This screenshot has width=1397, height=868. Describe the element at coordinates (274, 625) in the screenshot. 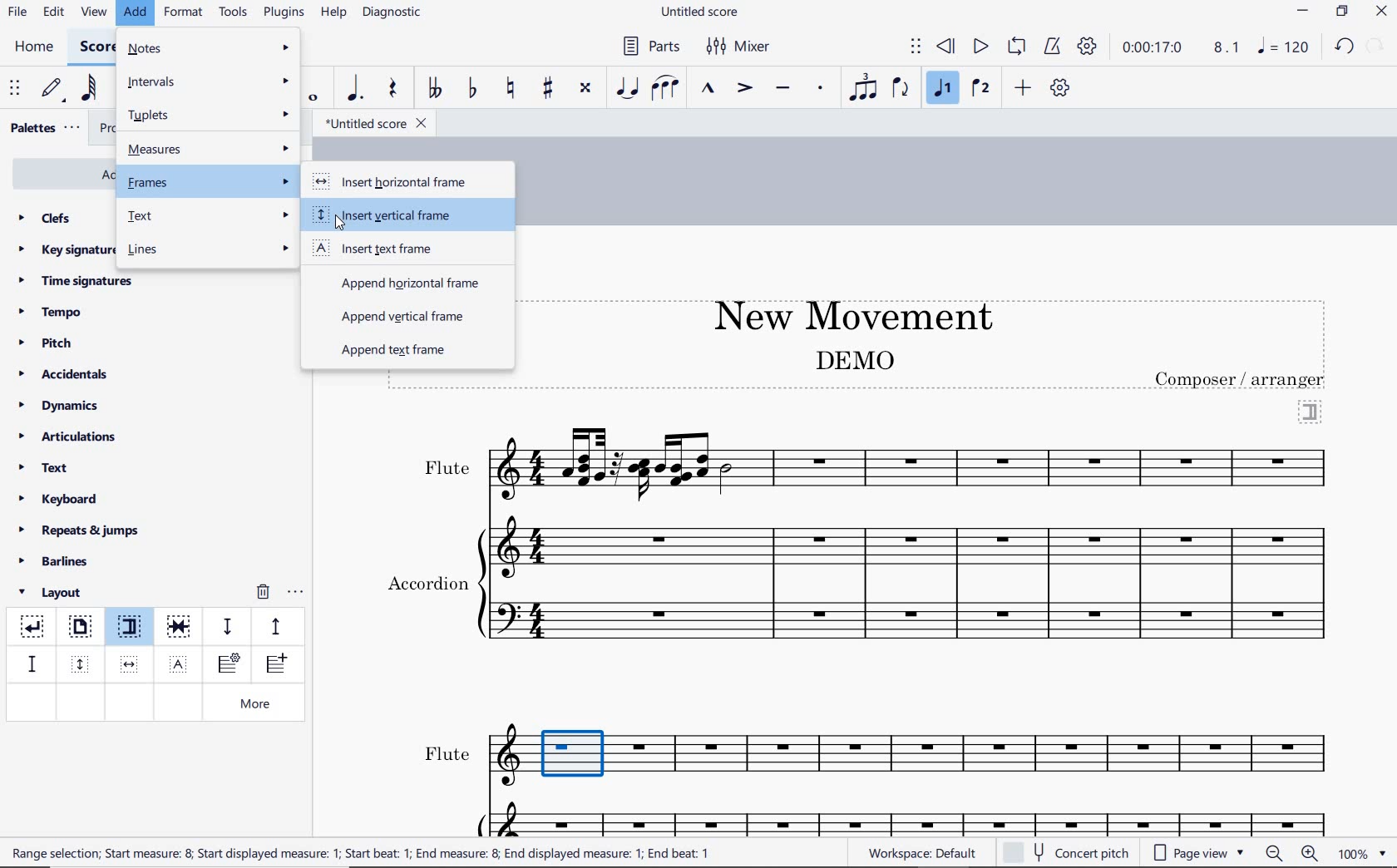

I see `staff pacer` at that location.